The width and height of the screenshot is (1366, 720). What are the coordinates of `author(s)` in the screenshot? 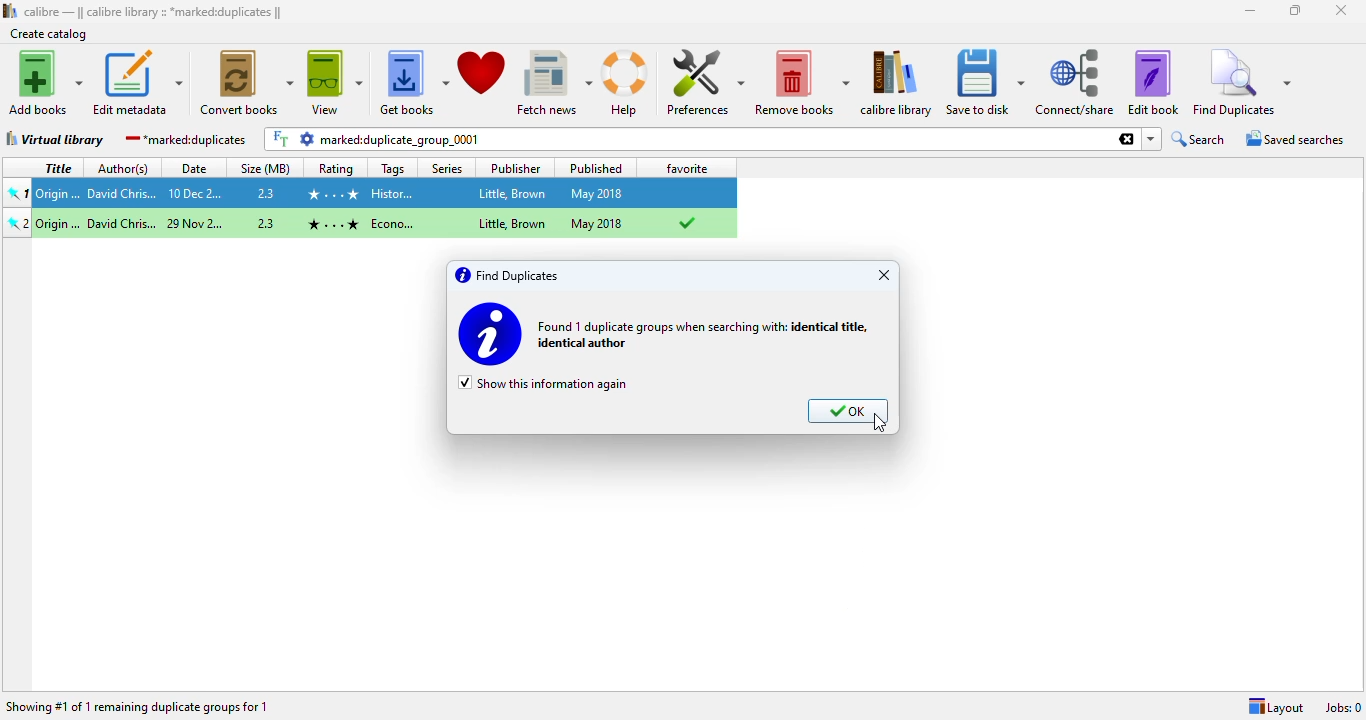 It's located at (126, 167).